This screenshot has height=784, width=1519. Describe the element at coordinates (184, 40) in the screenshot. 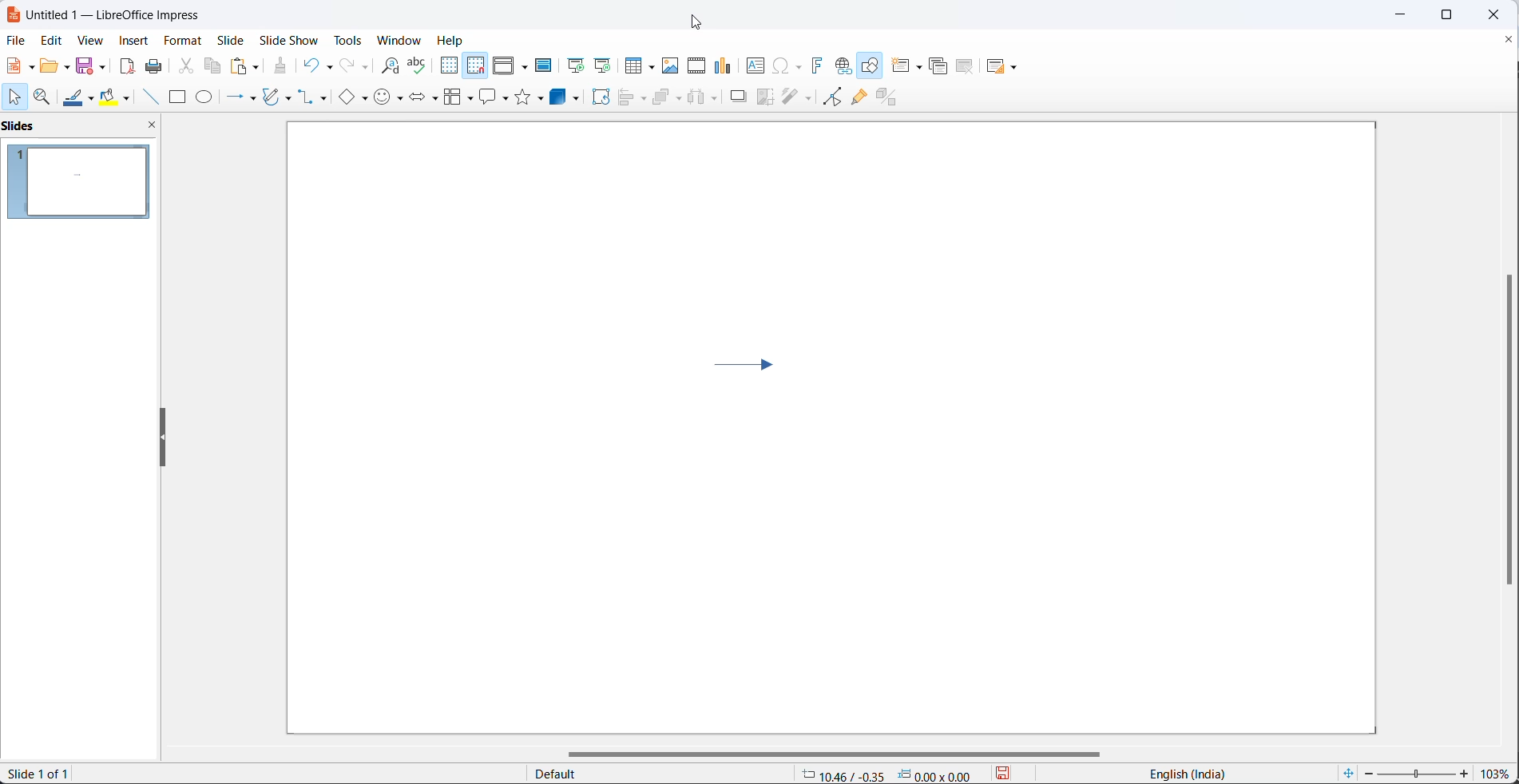

I see `format` at that location.